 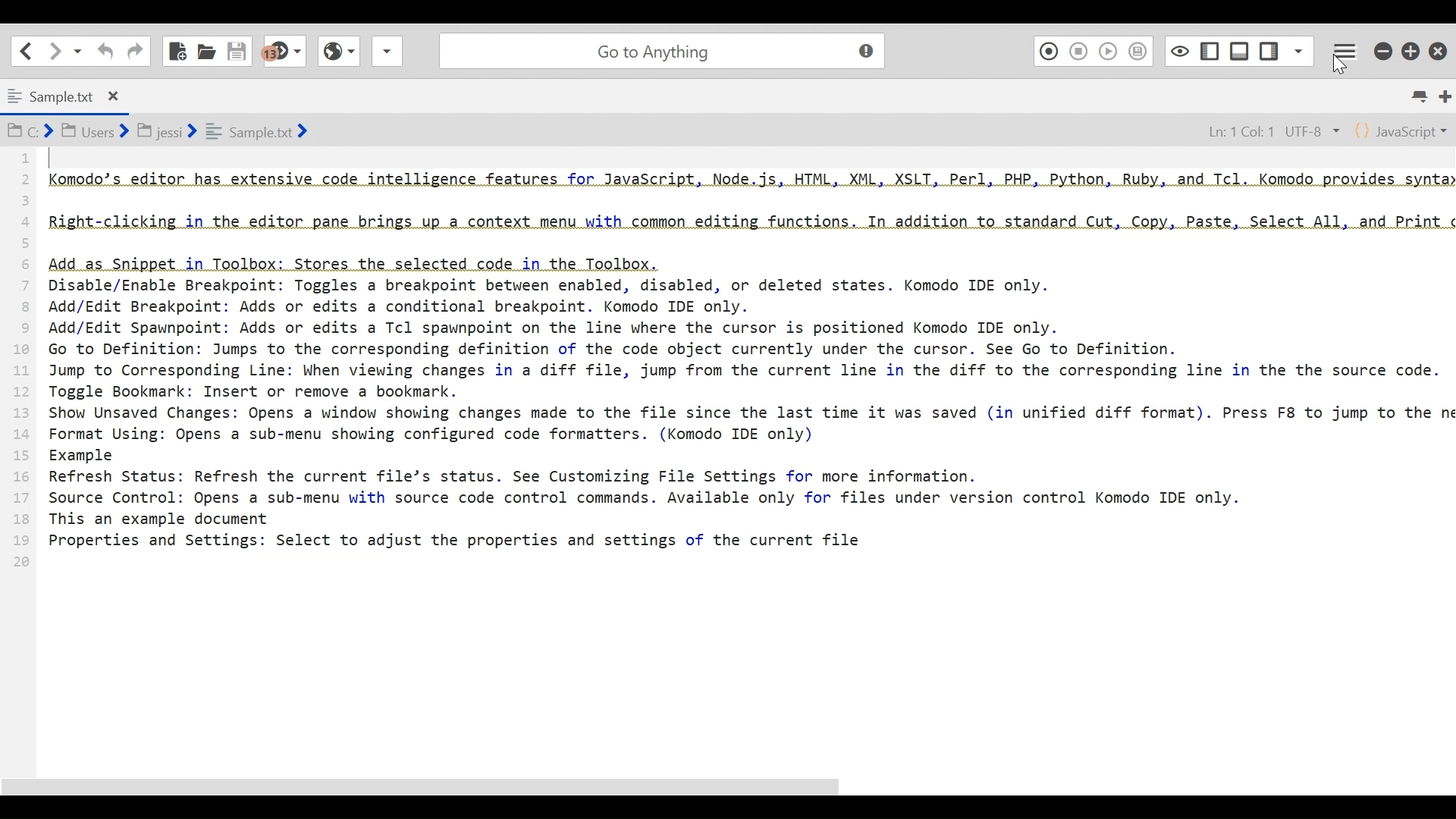 What do you see at coordinates (337, 55) in the screenshot?
I see `web` at bounding box center [337, 55].